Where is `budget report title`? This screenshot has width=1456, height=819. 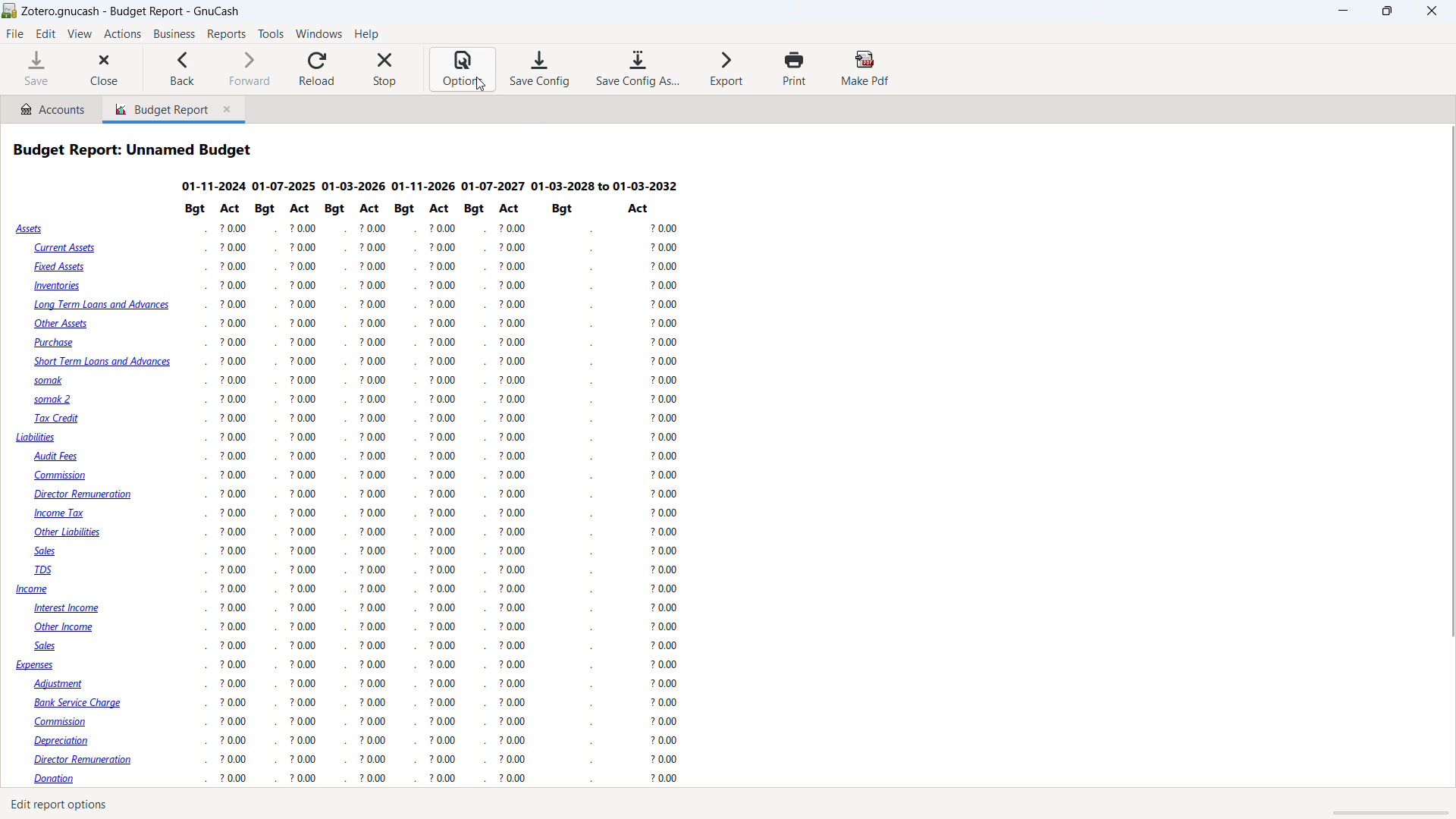
budget report title is located at coordinates (135, 149).